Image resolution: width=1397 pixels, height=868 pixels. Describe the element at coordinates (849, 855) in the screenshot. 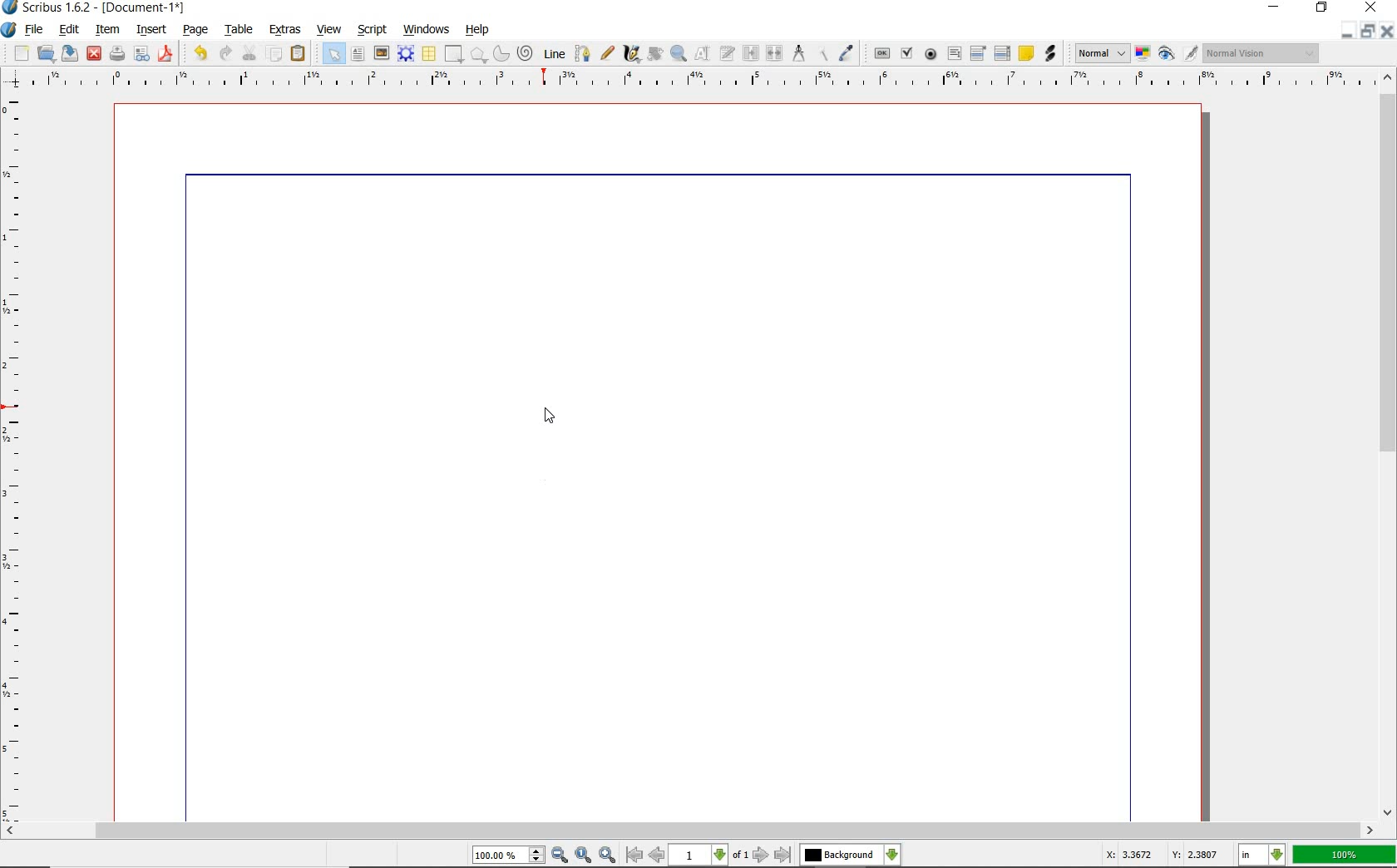

I see `select the current layer` at that location.